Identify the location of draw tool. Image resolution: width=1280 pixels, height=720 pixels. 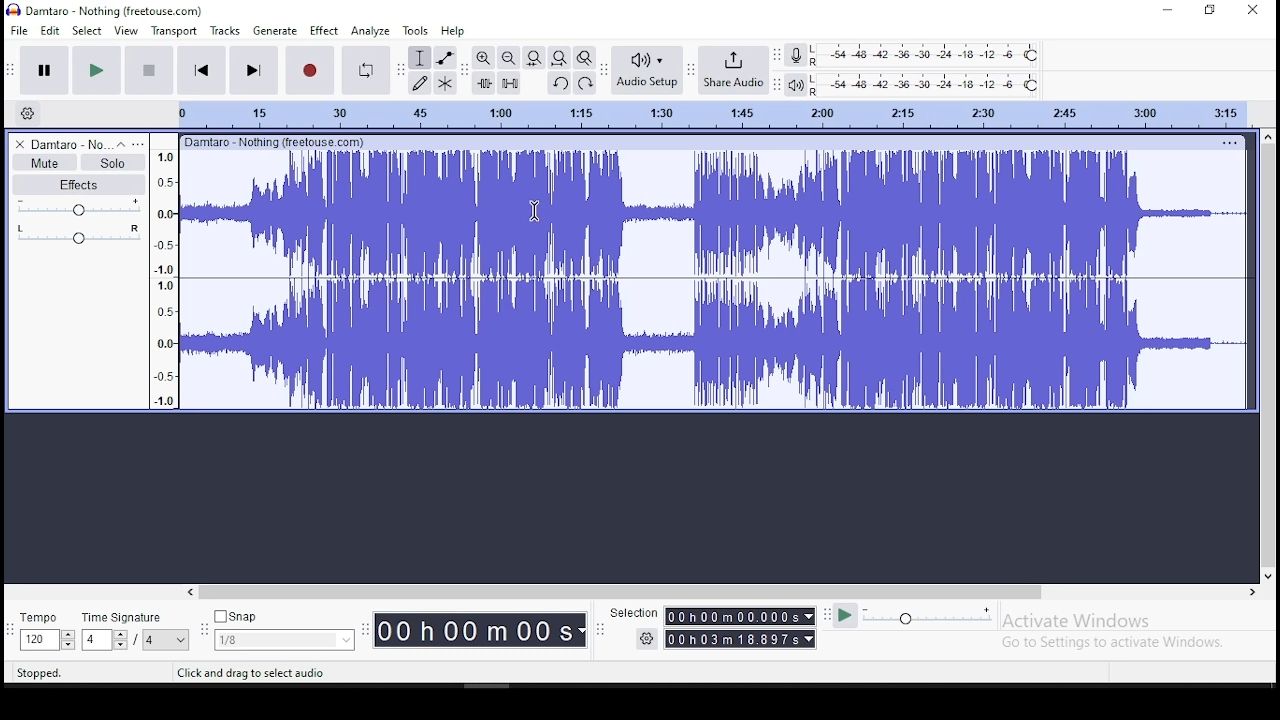
(420, 83).